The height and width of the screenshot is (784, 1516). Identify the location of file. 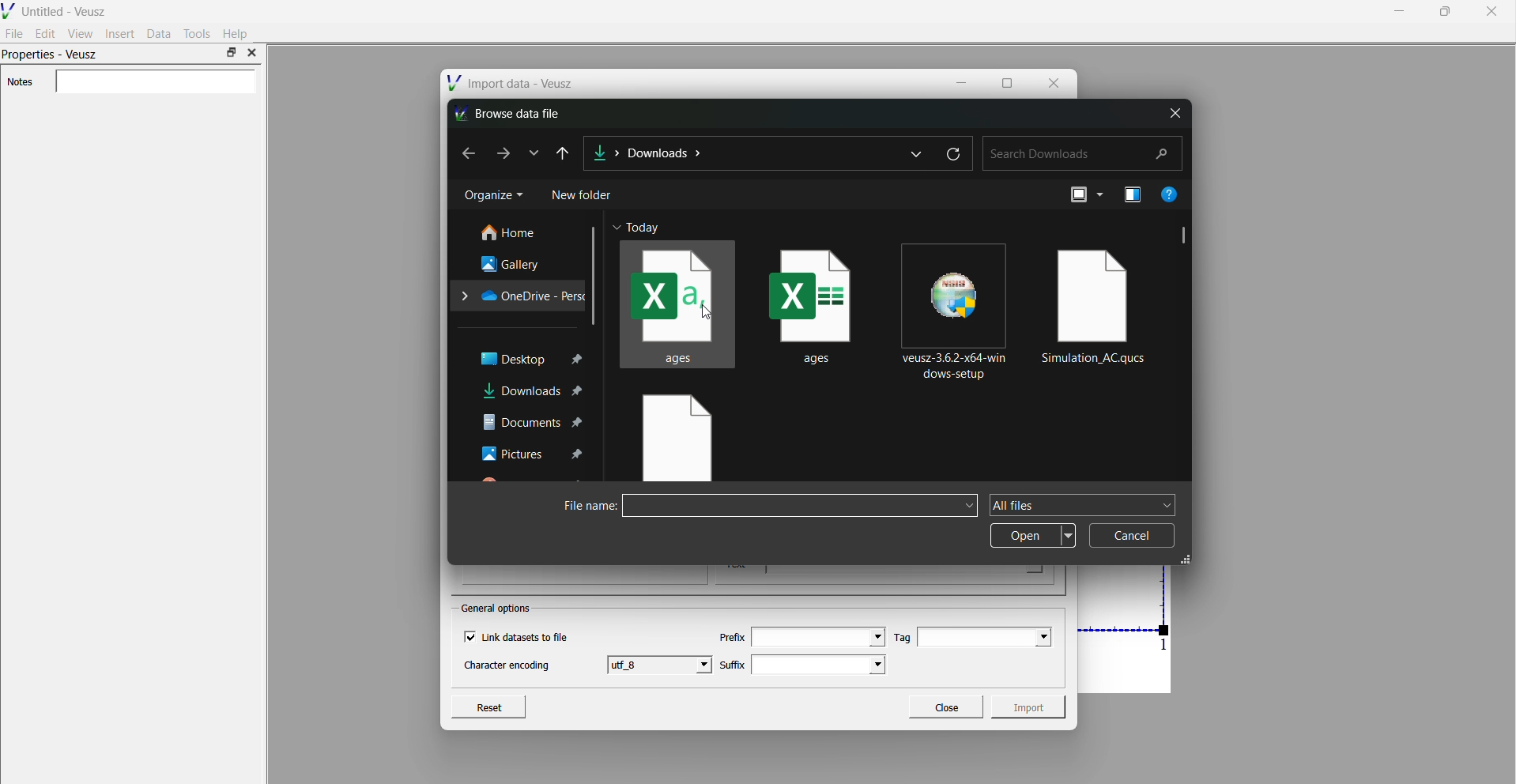
(675, 439).